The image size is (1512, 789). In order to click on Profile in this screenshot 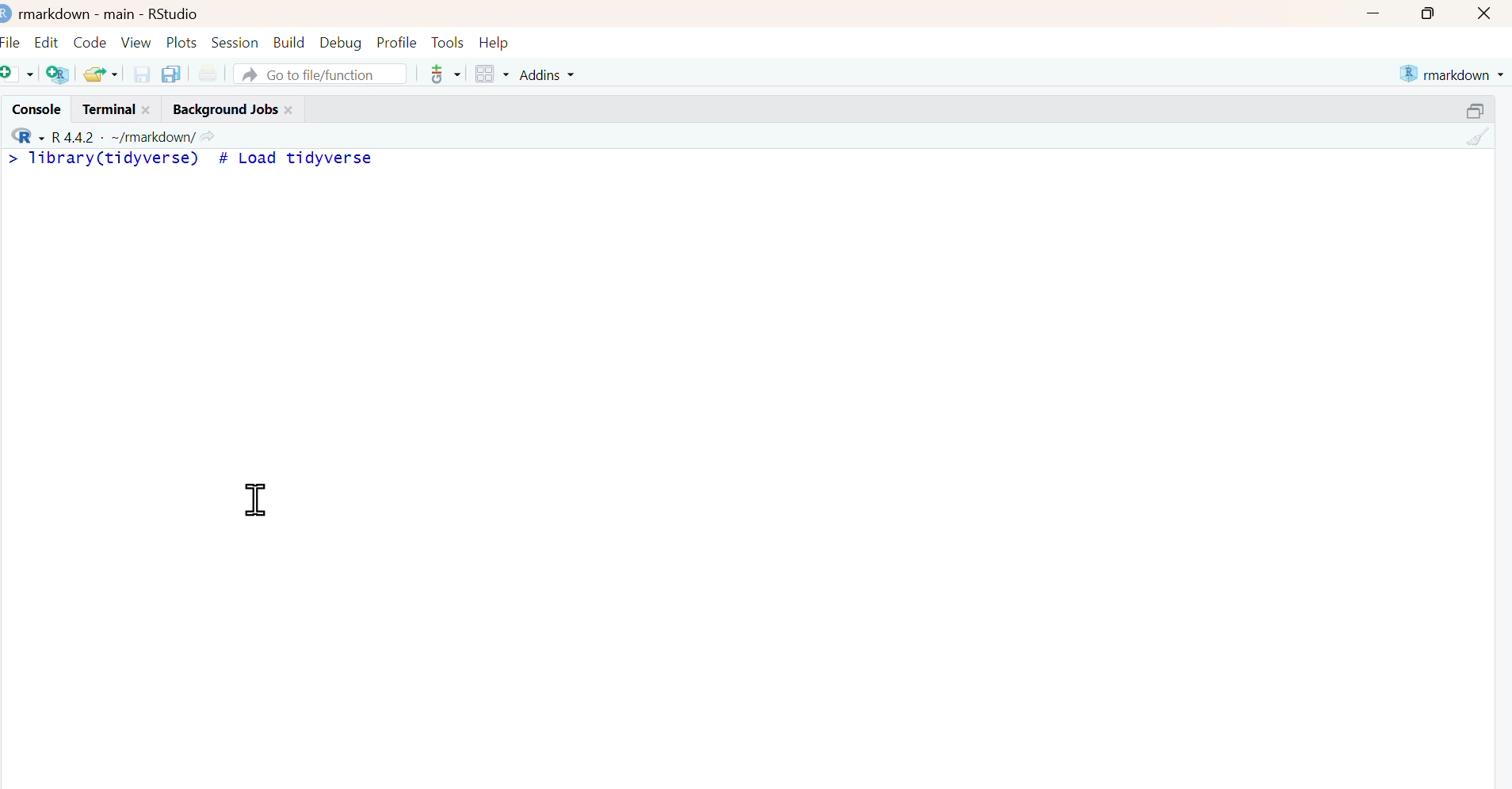, I will do `click(396, 40)`.